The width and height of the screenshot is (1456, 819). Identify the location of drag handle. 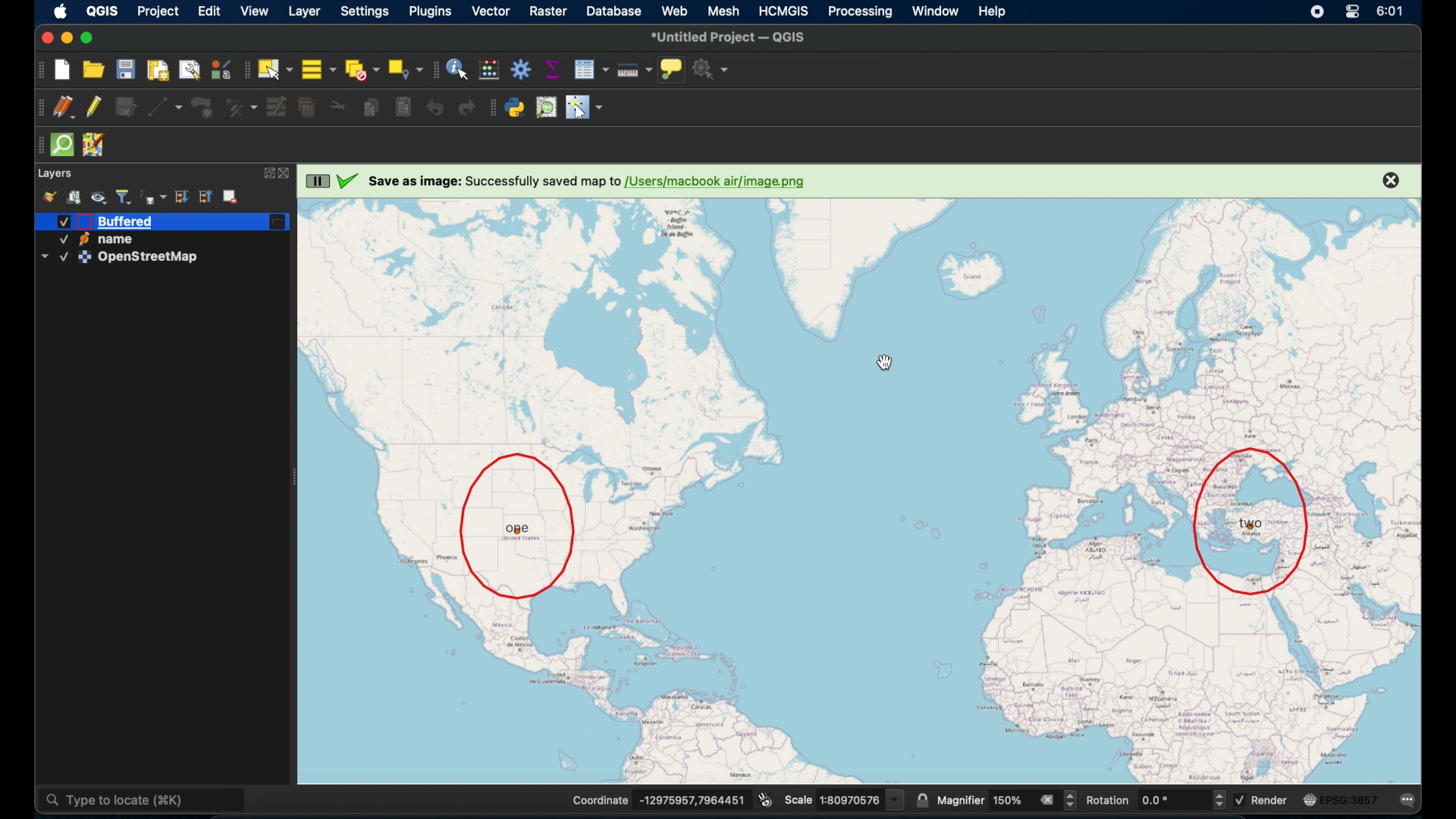
(436, 69).